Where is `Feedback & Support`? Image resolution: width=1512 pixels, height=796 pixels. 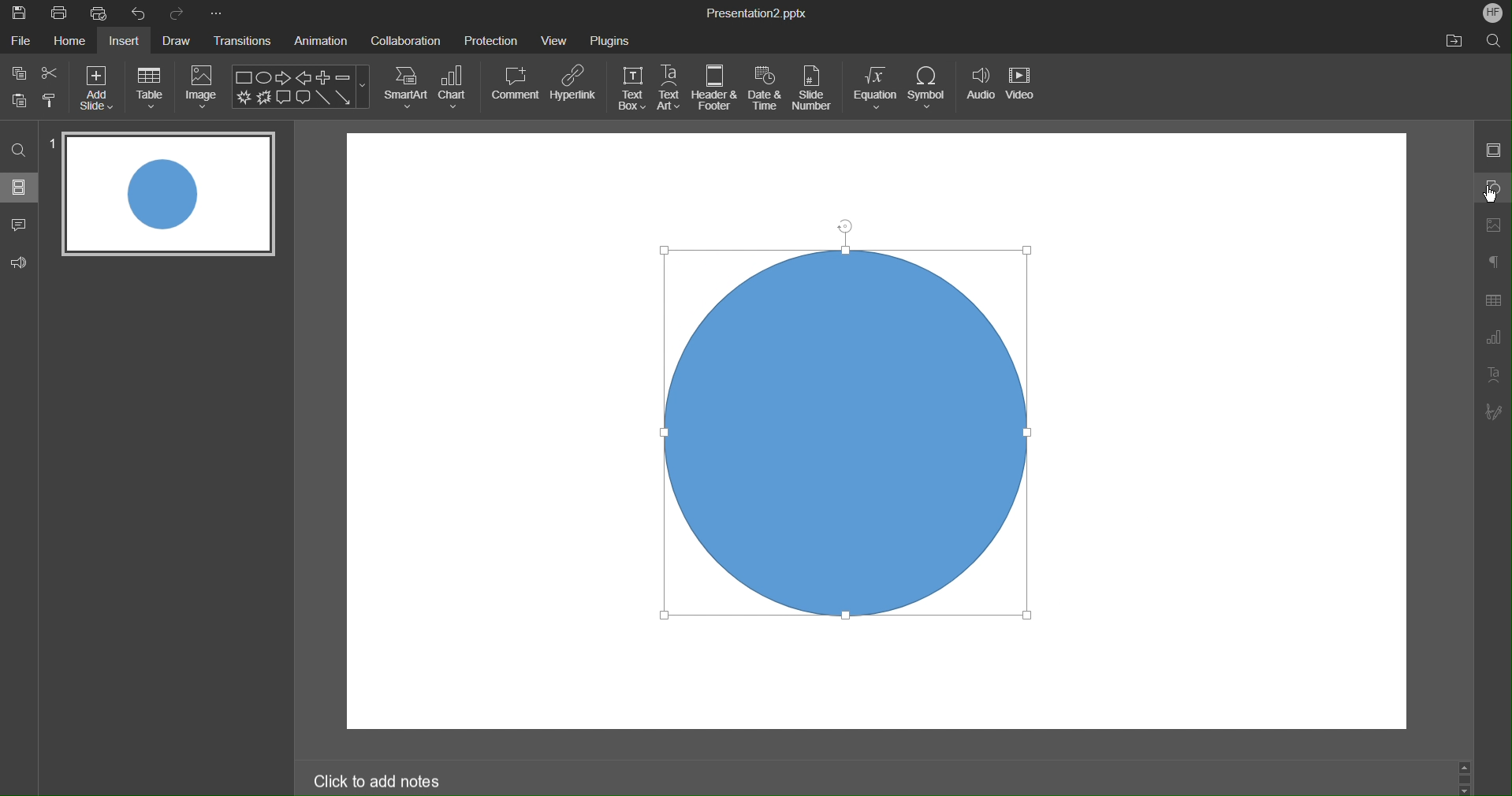 Feedback & Support is located at coordinates (20, 261).